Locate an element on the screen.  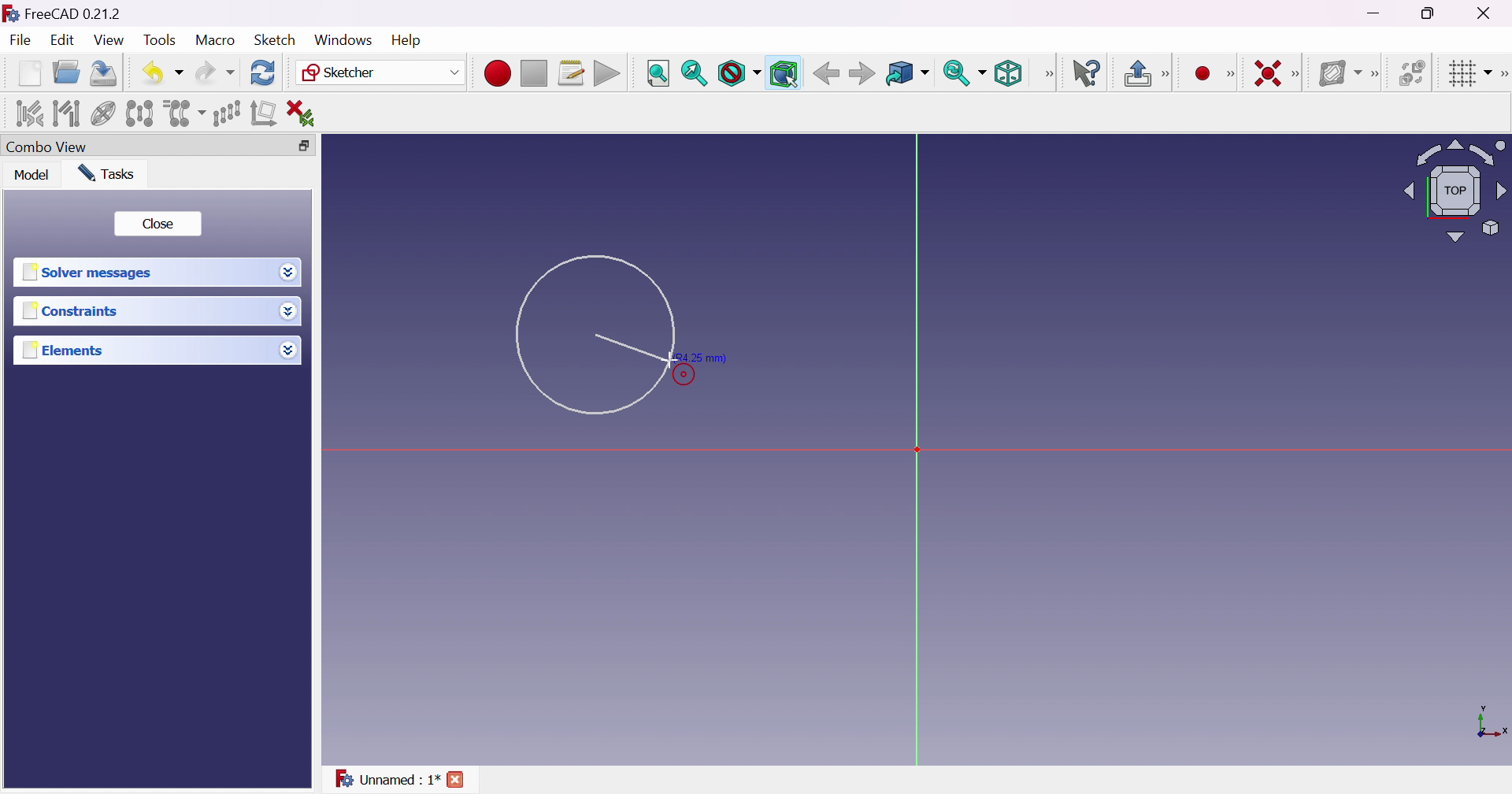
Combo view is located at coordinates (48, 145).